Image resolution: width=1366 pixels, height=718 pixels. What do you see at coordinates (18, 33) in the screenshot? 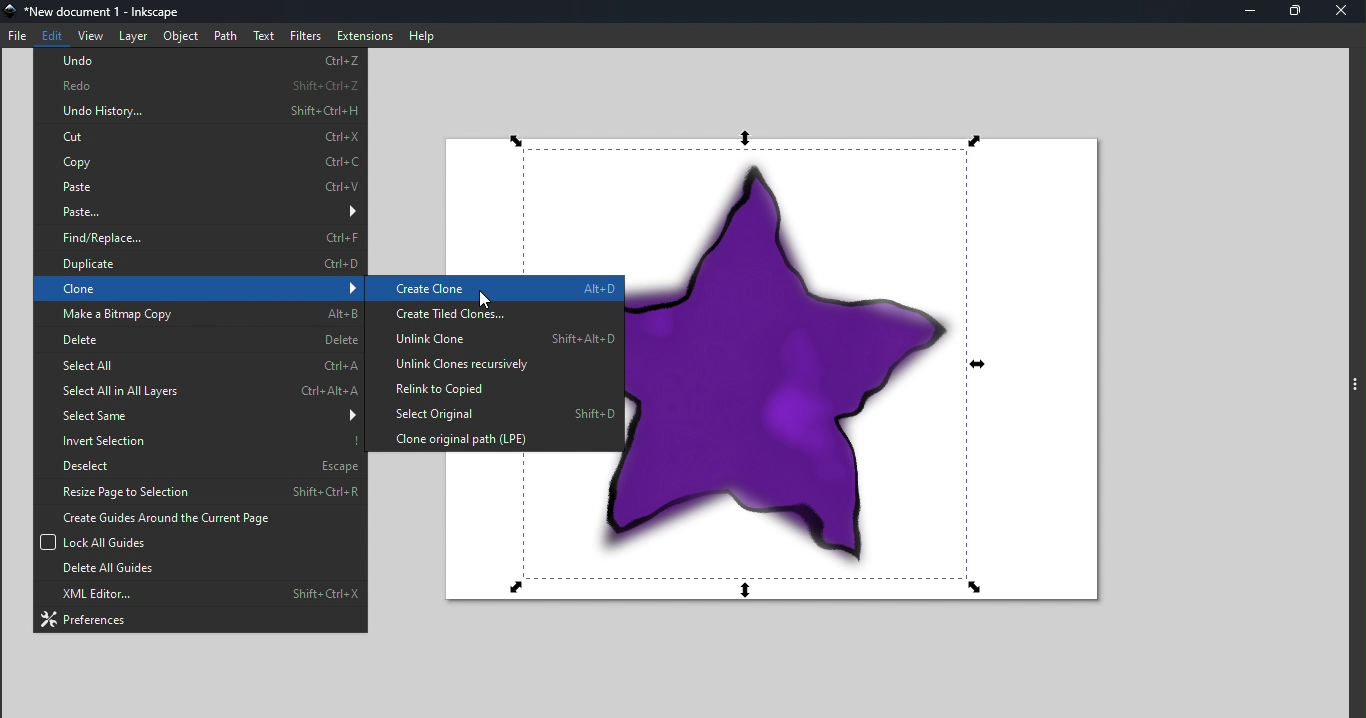
I see `File` at bounding box center [18, 33].